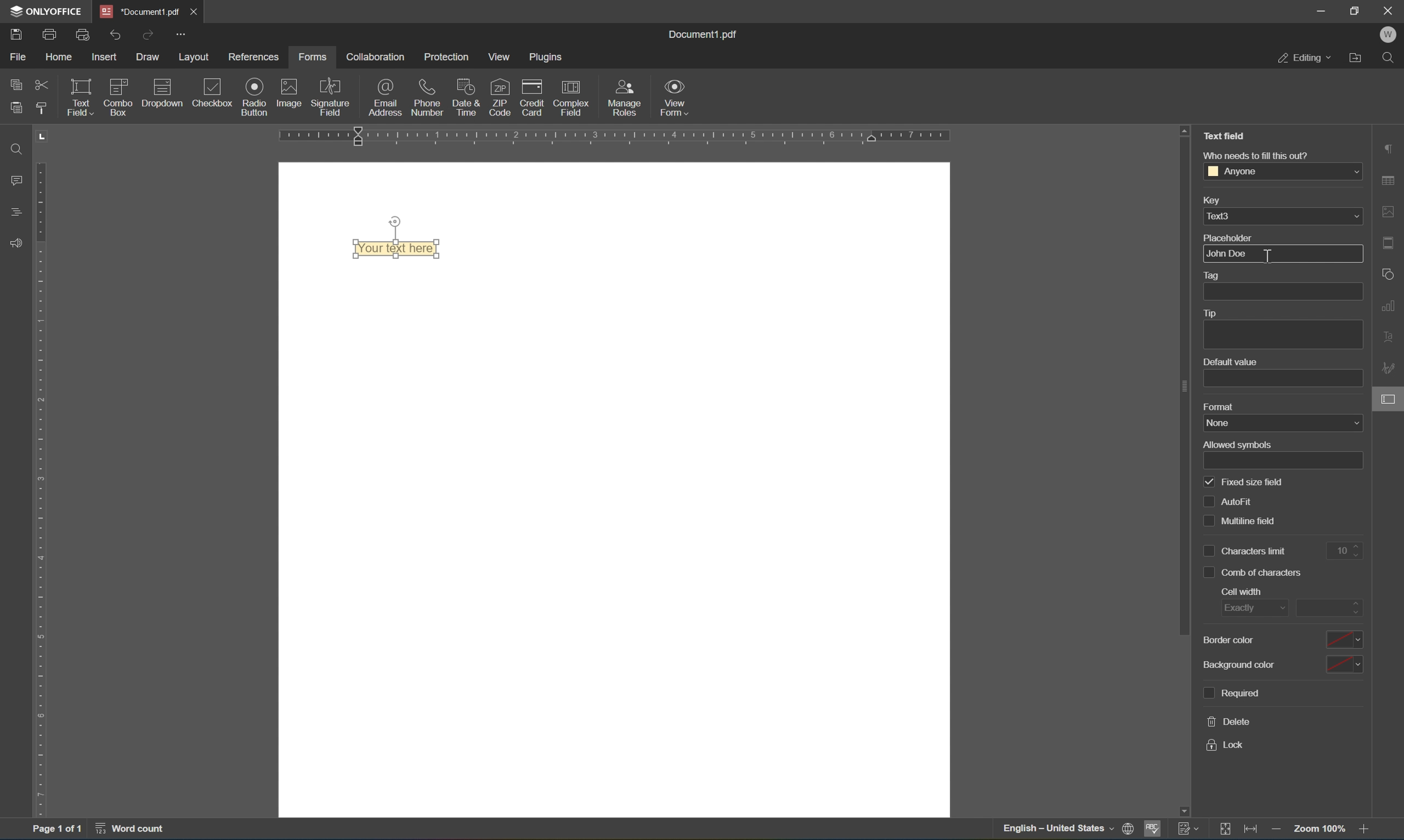 The width and height of the screenshot is (1404, 840). I want to click on paragraph settings, so click(1392, 149).